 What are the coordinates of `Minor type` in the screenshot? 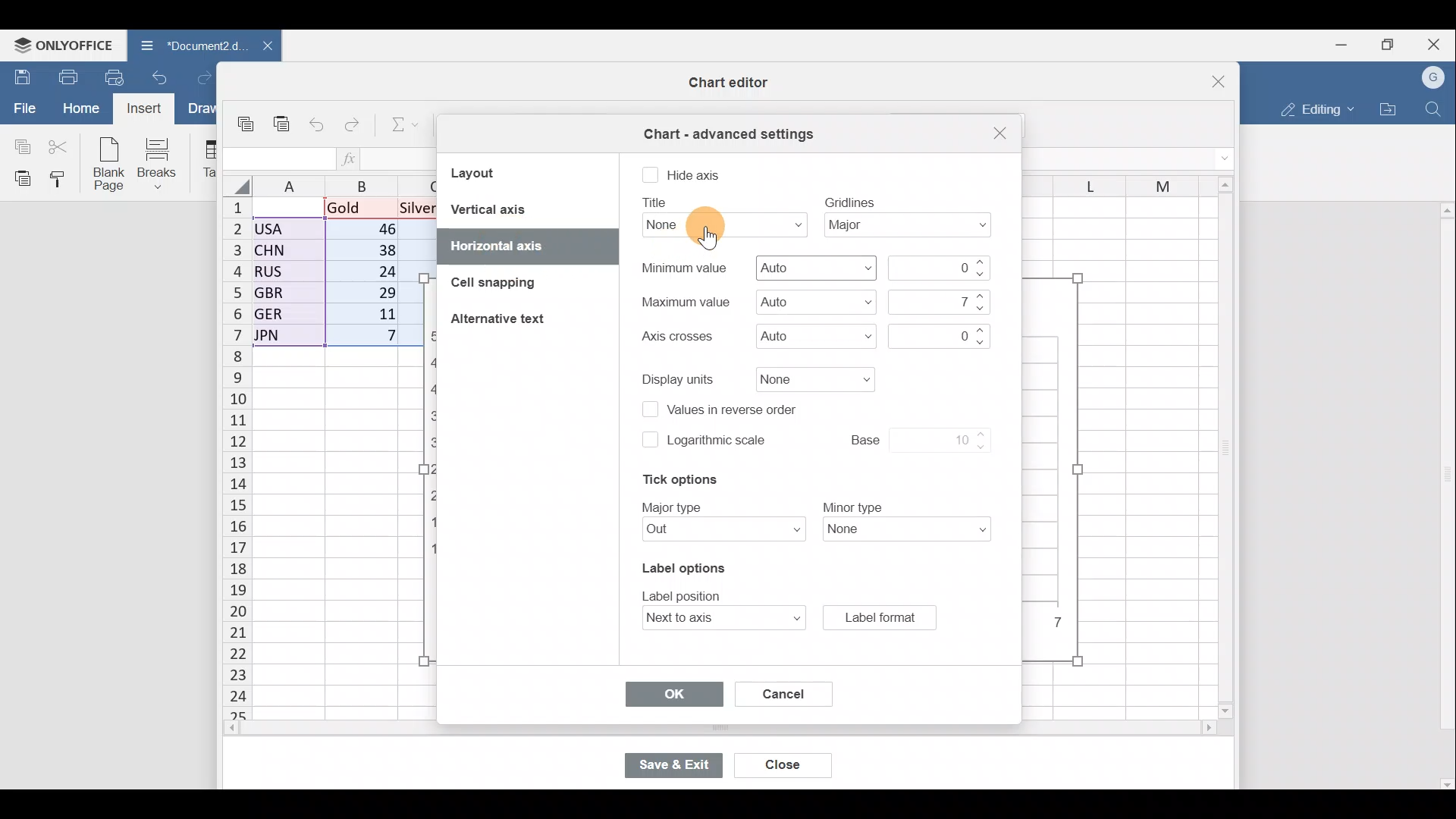 It's located at (912, 533).